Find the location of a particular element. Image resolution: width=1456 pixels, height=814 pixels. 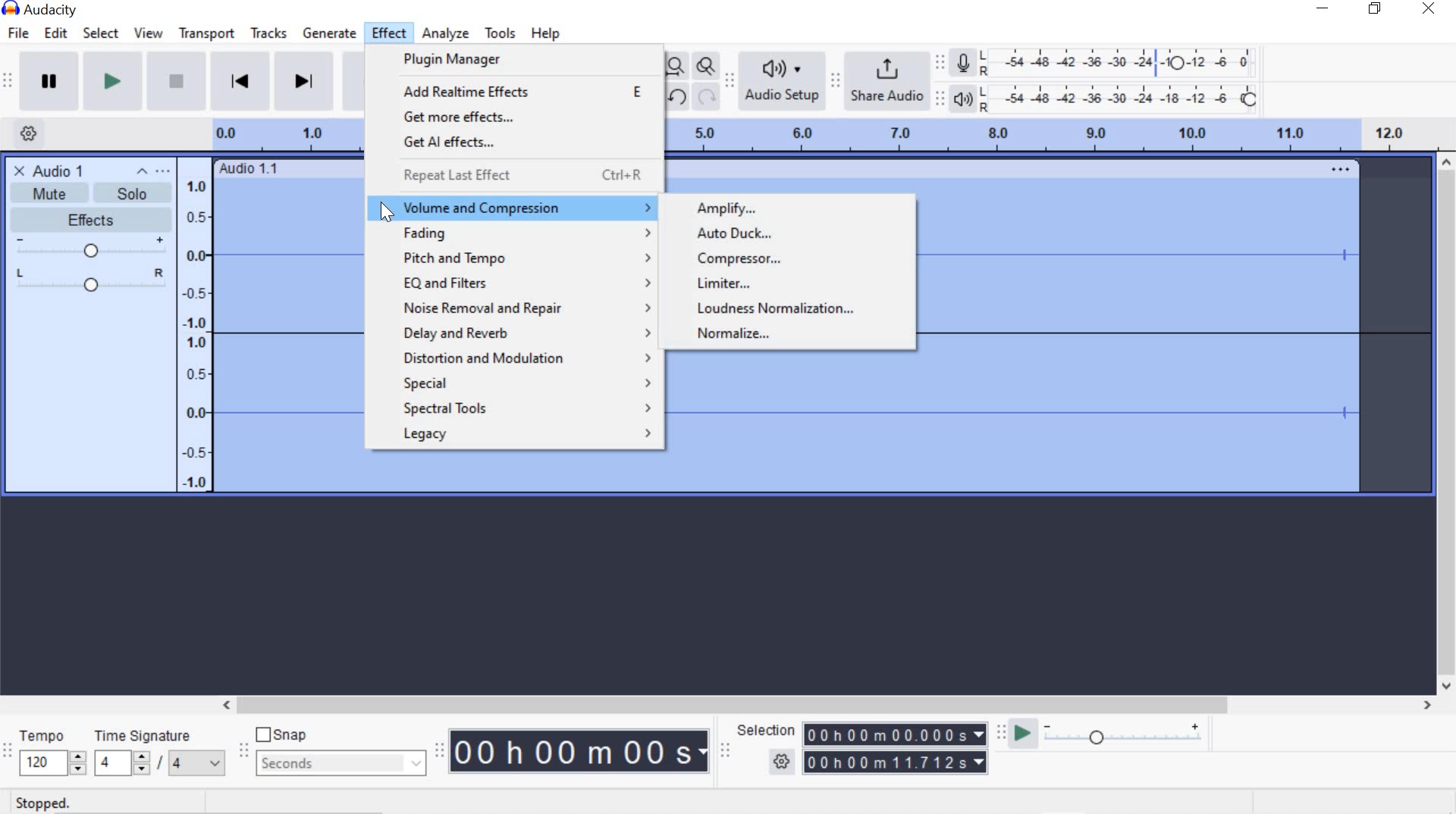

SOLO is located at coordinates (128, 193).